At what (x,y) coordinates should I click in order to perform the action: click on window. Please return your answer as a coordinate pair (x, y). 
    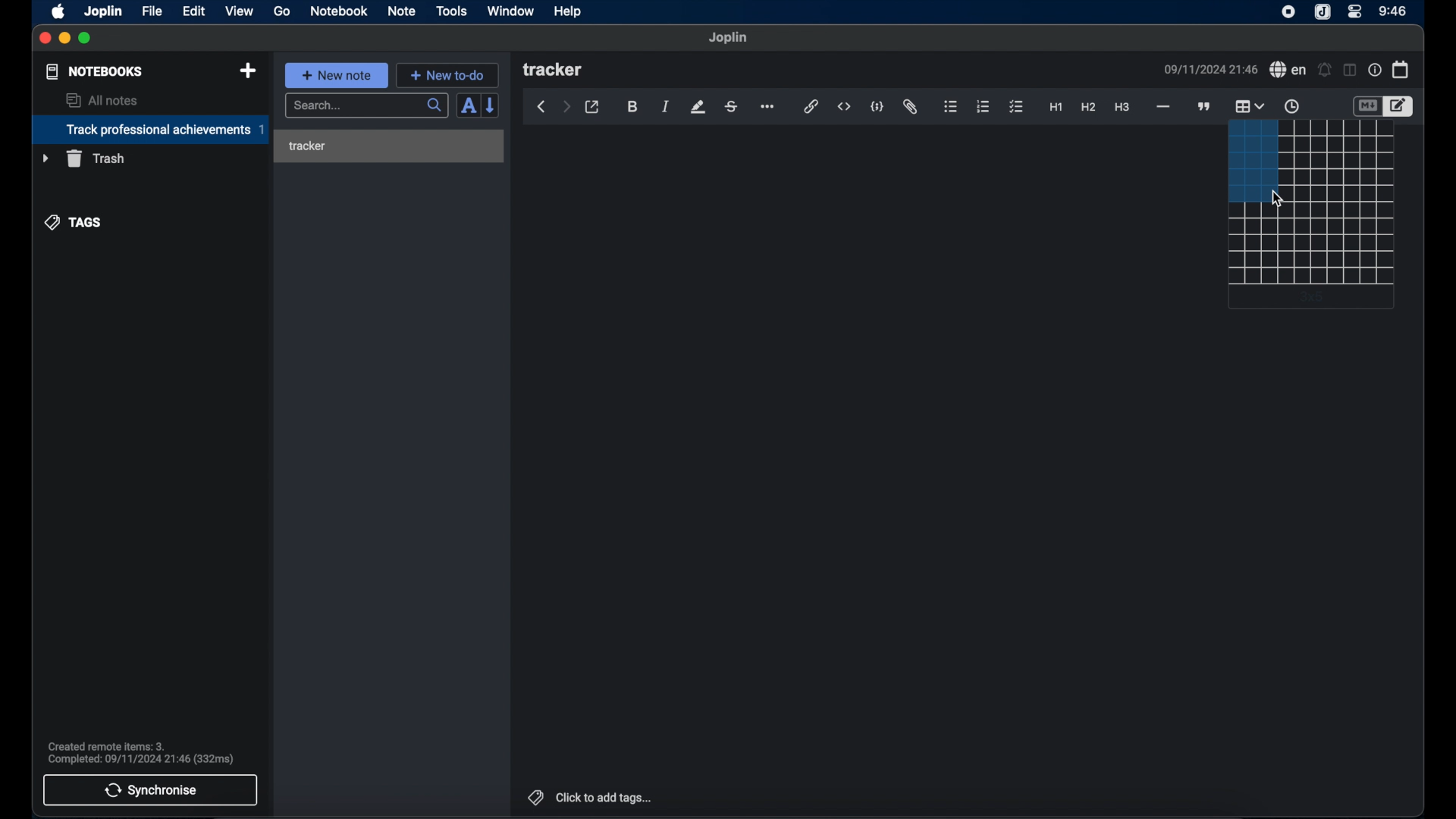
    Looking at the image, I should click on (510, 11).